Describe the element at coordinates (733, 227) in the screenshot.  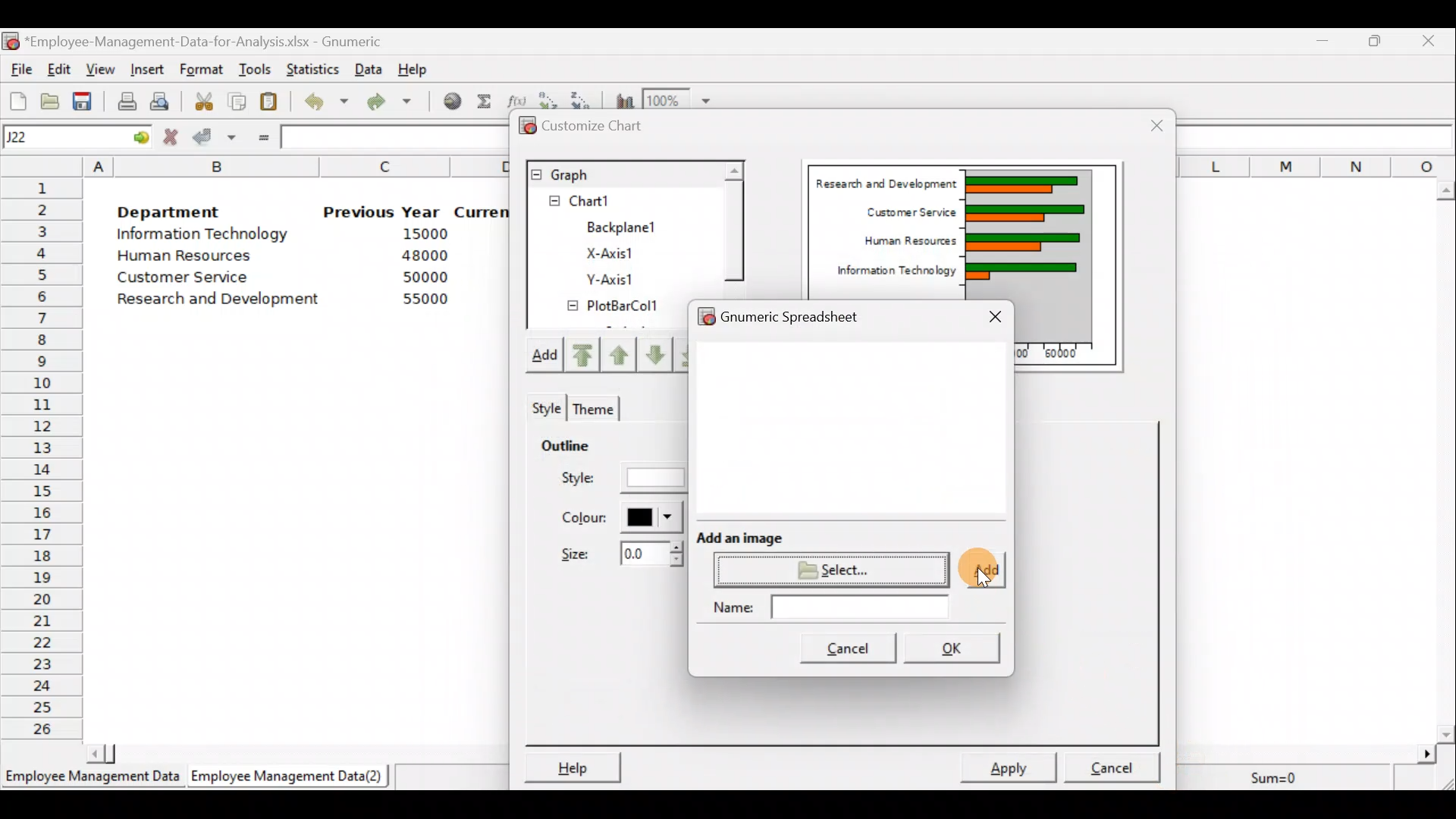
I see `Scroll bar` at that location.